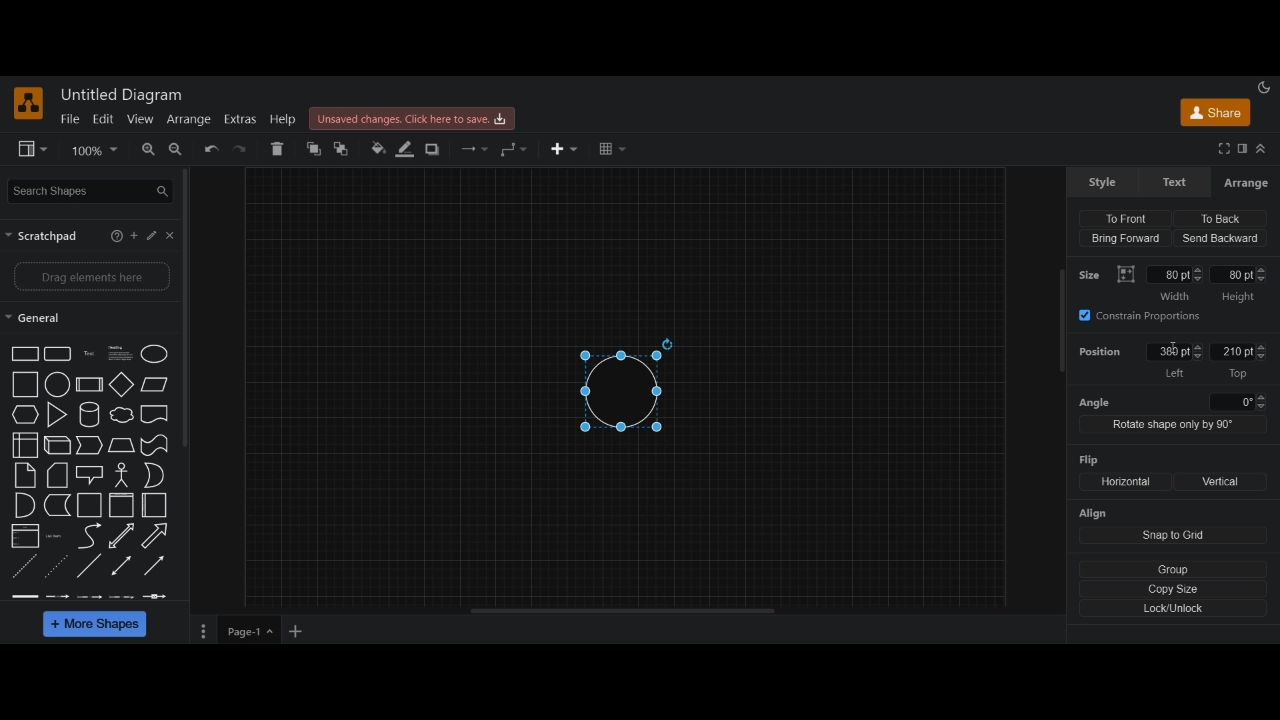  I want to click on Shape, so click(25, 446).